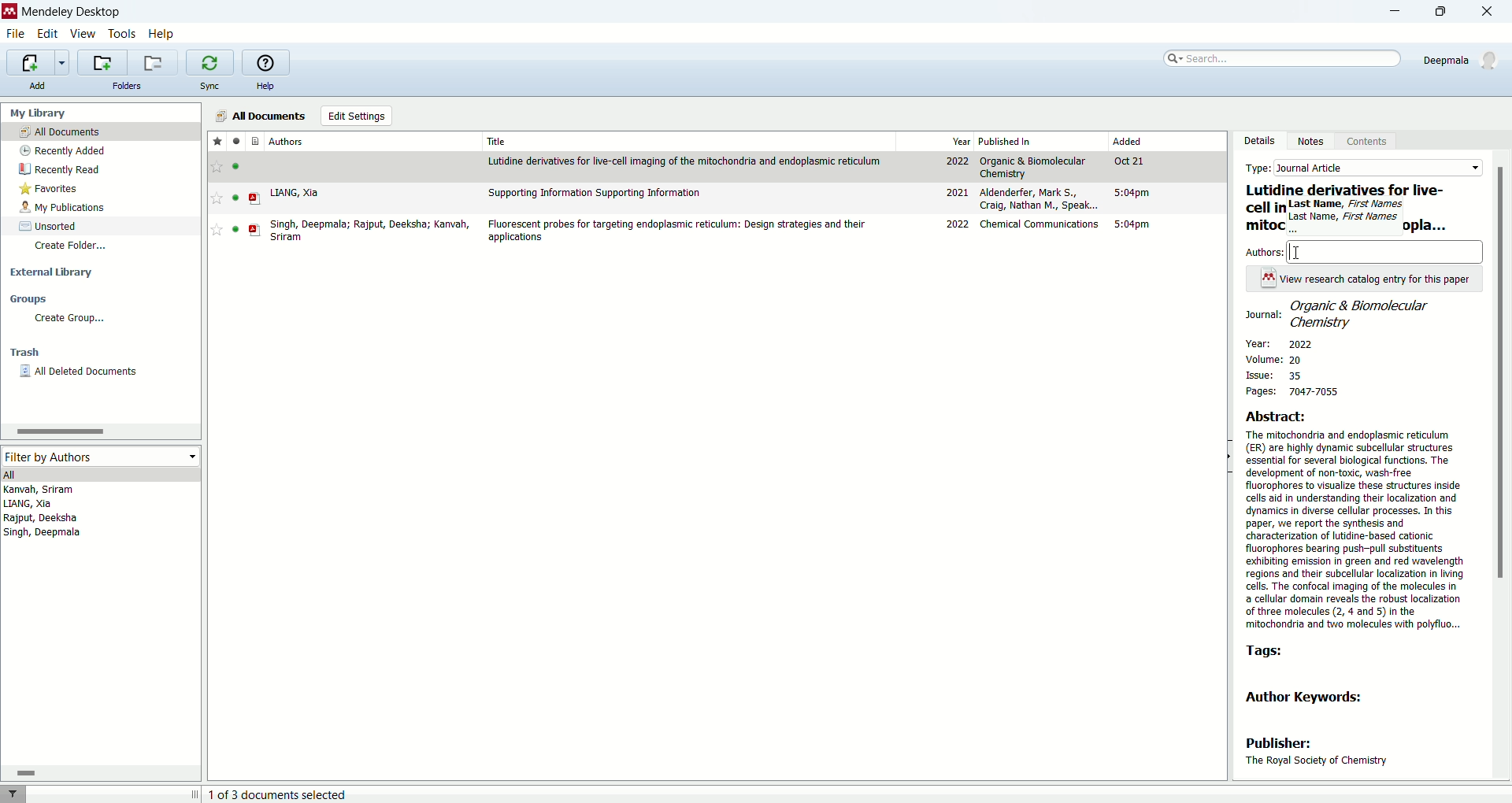 This screenshot has width=1512, height=803. I want to click on my publications, so click(61, 209).